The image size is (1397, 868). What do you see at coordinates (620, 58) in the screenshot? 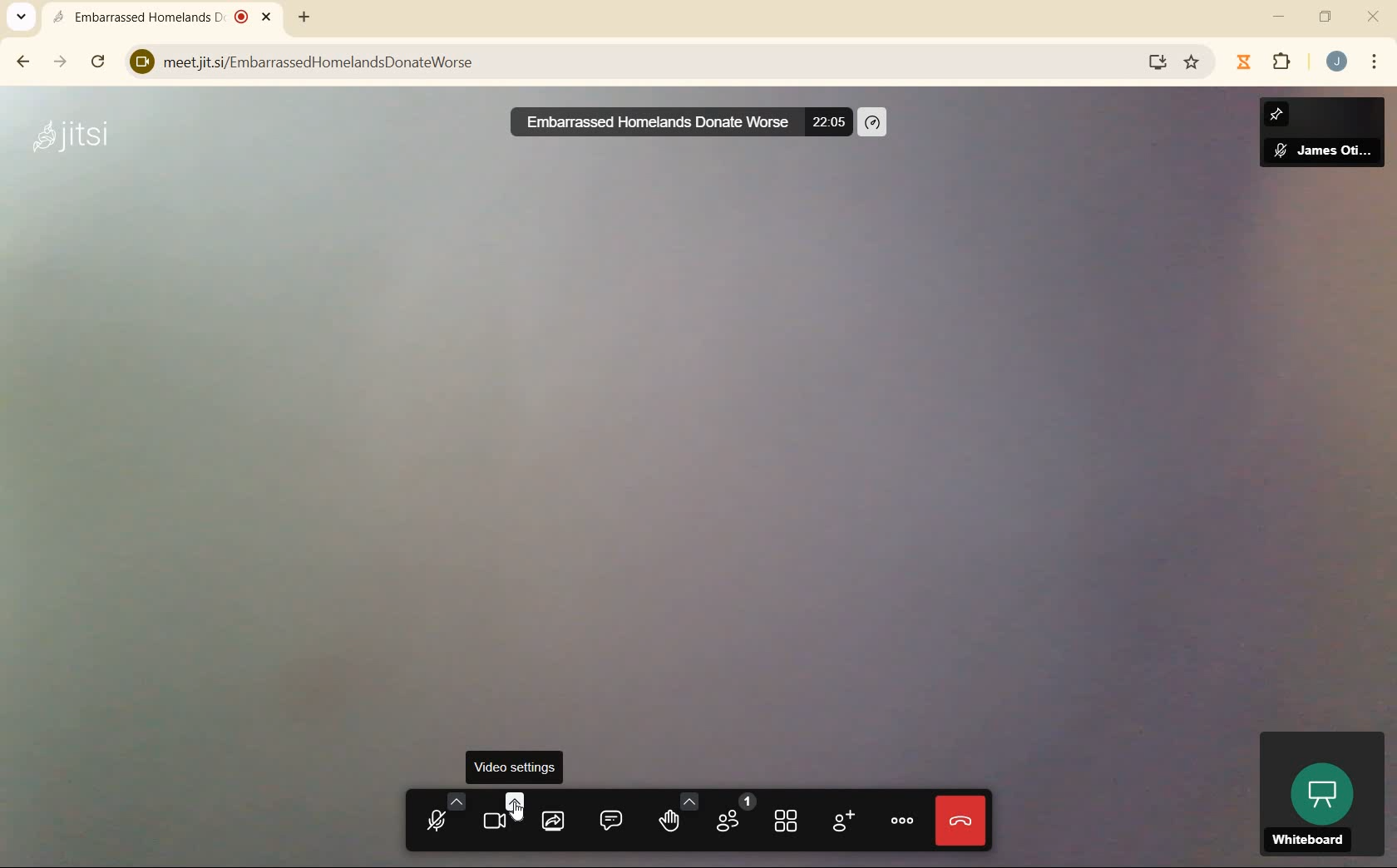
I see `meetjit.si/EmbarrassedHomelandsDonateWorse` at bounding box center [620, 58].